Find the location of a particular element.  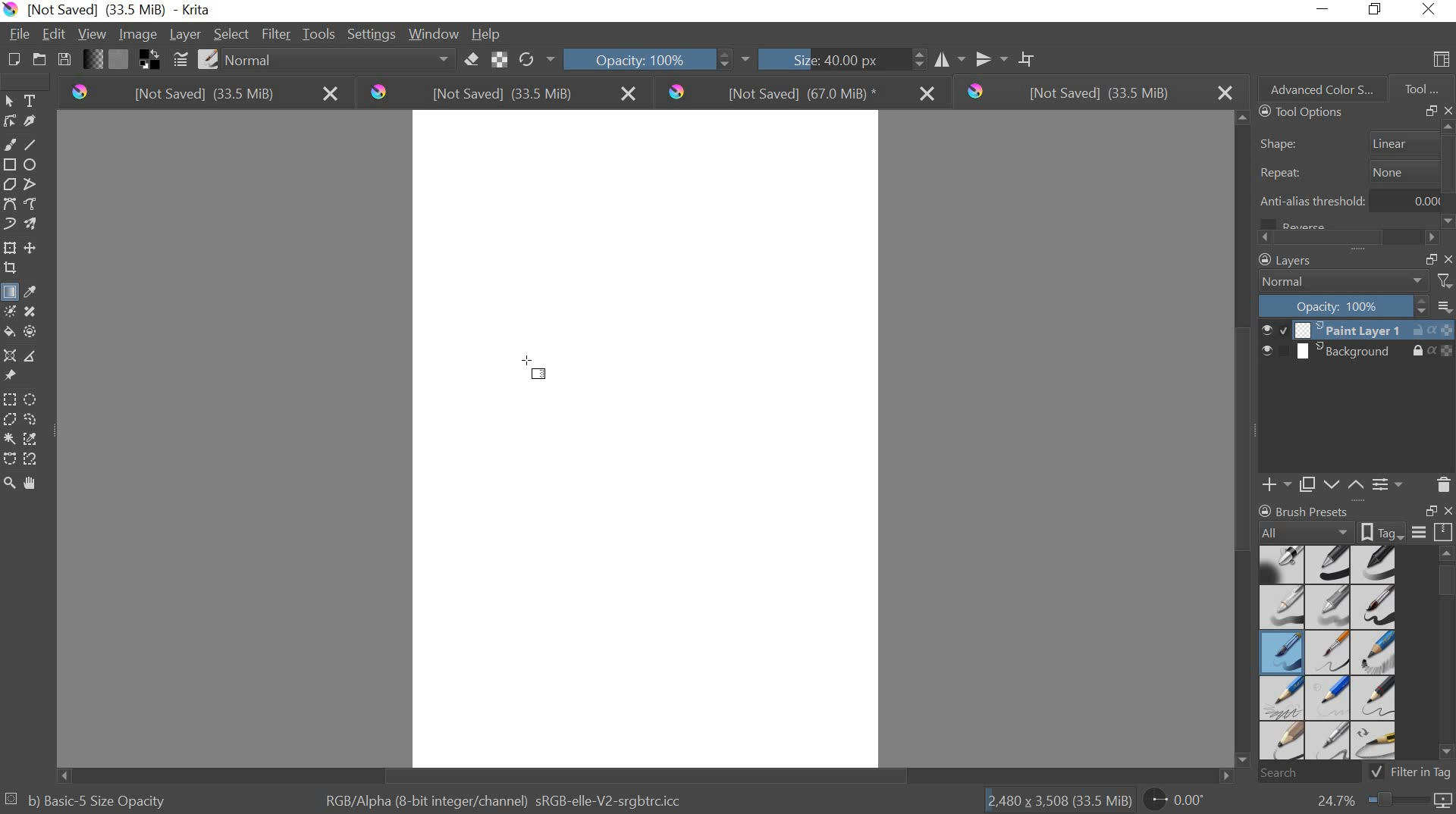

crop layer is located at coordinates (12, 270).